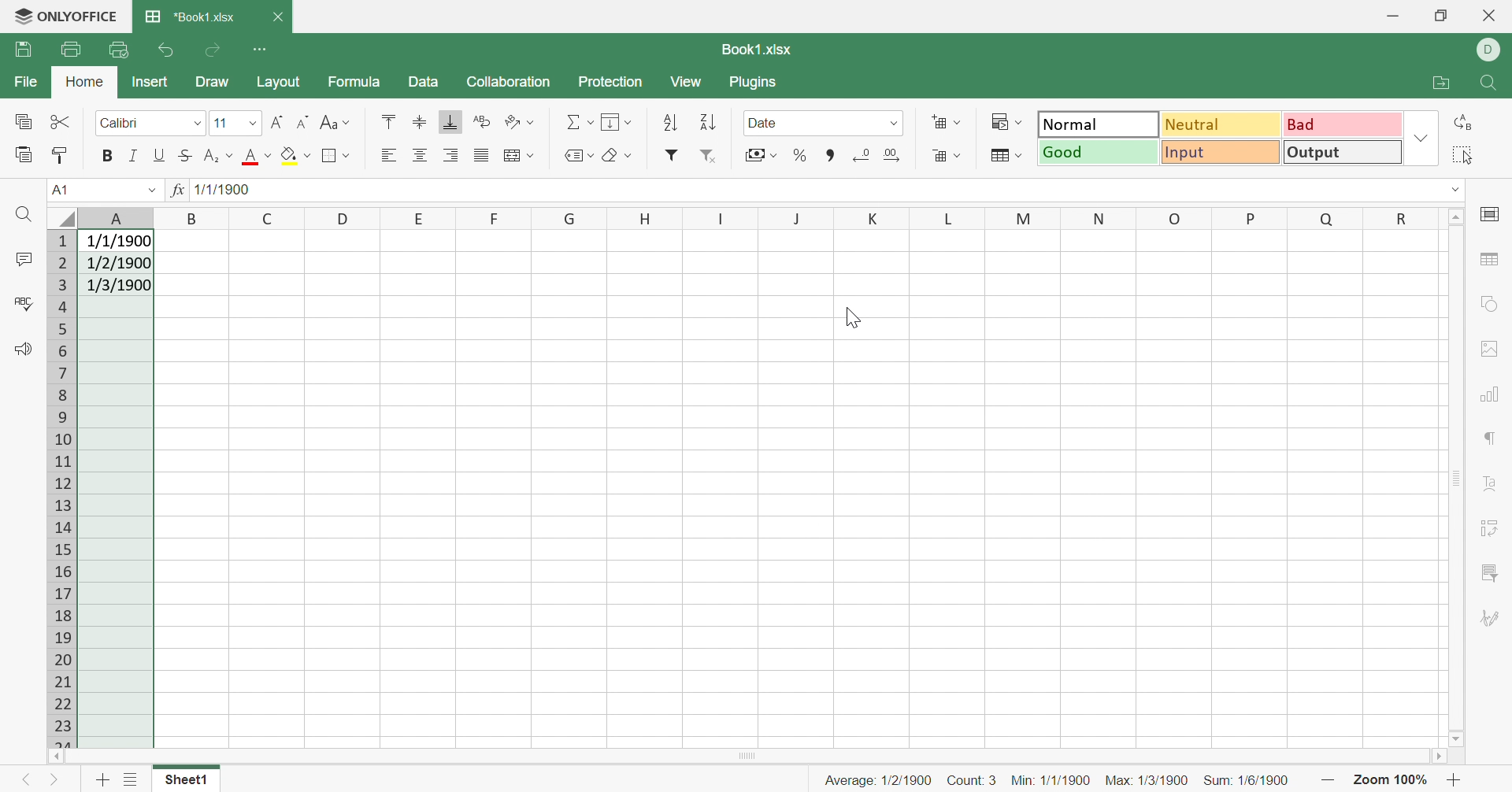  Describe the element at coordinates (176, 189) in the screenshot. I see `fx` at that location.